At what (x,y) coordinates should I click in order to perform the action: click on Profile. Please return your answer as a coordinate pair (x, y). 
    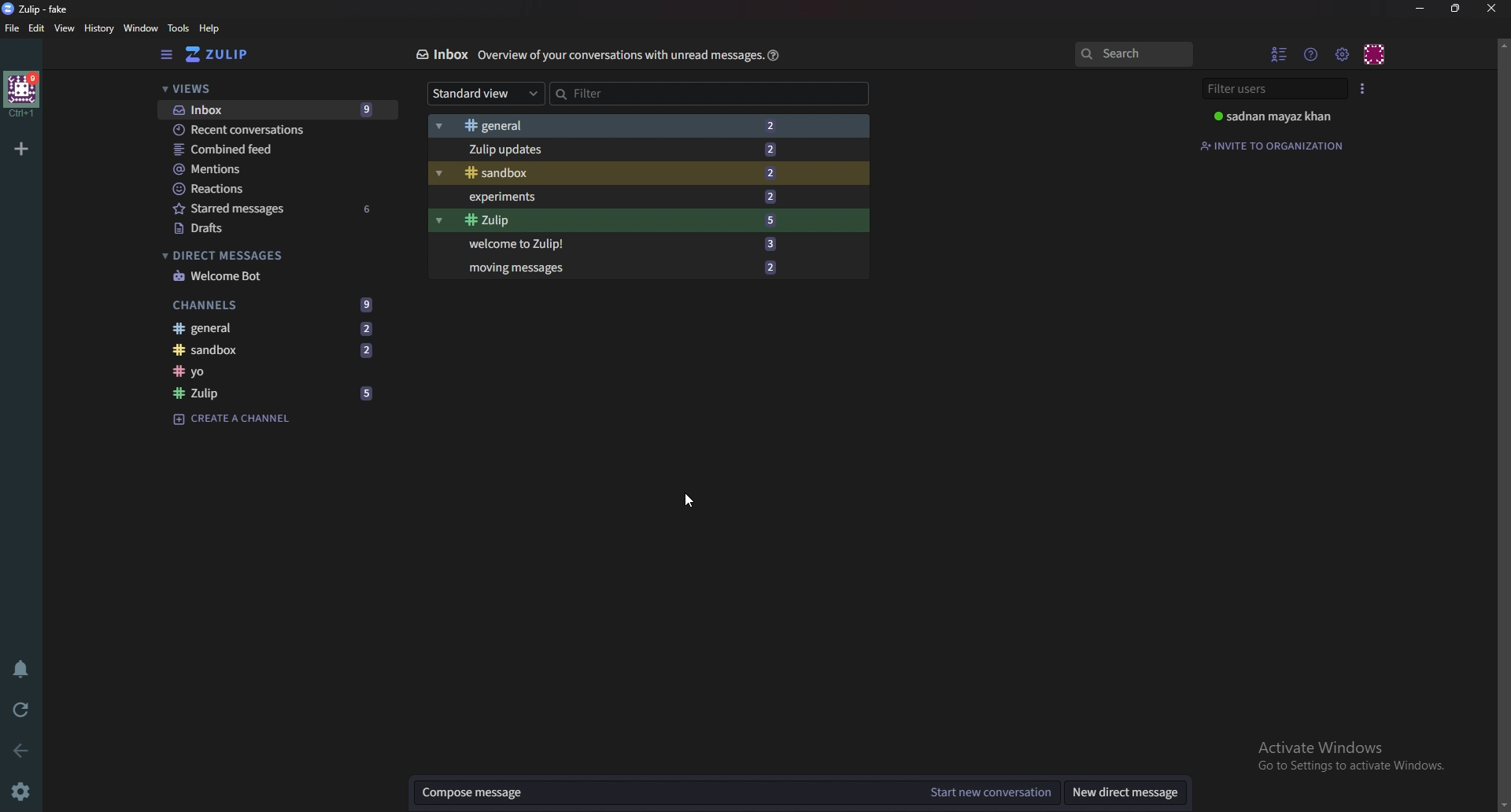
    Looking at the image, I should click on (1376, 53).